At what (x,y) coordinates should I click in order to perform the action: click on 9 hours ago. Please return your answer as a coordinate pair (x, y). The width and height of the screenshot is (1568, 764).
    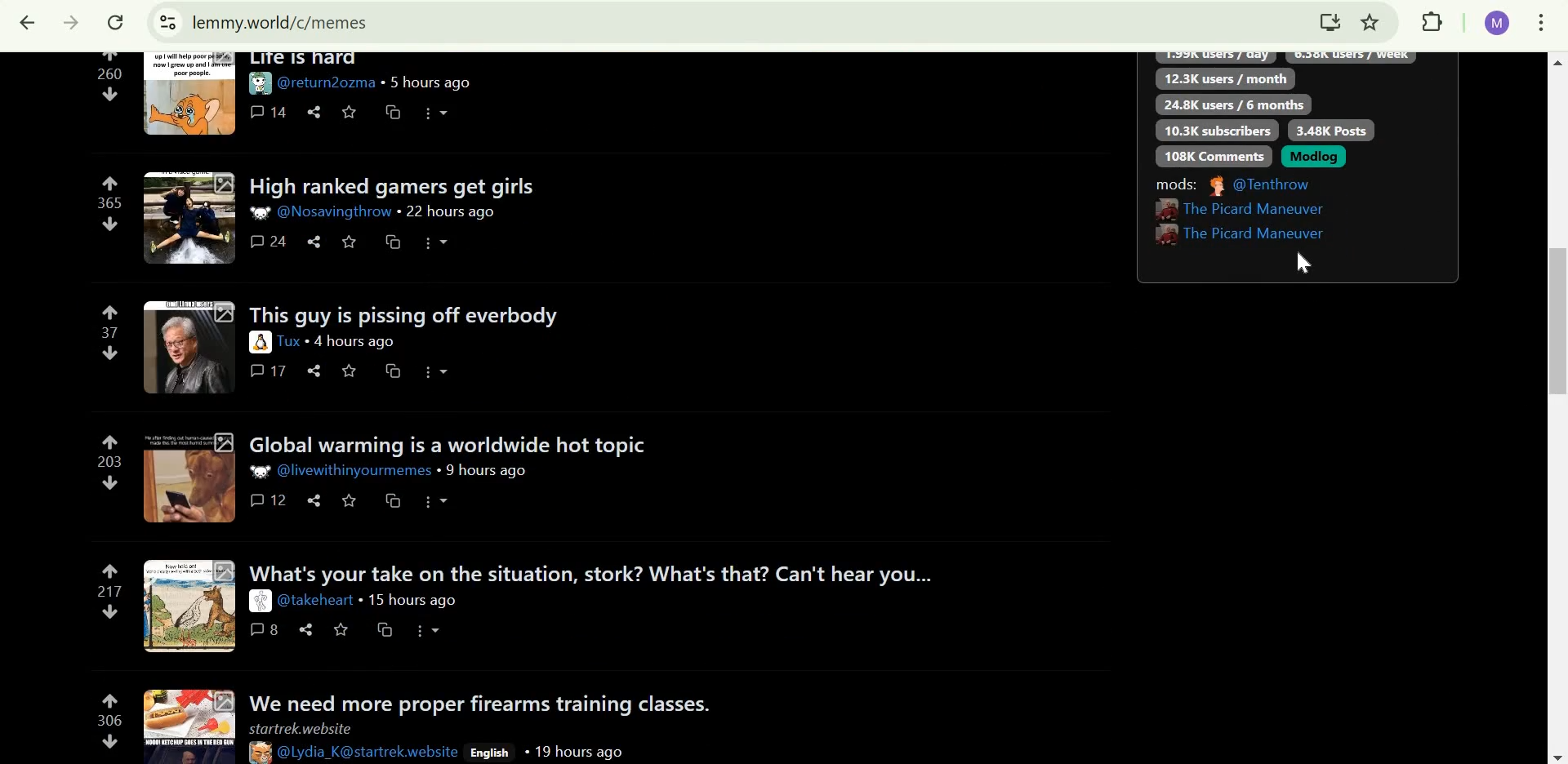
    Looking at the image, I should click on (487, 471).